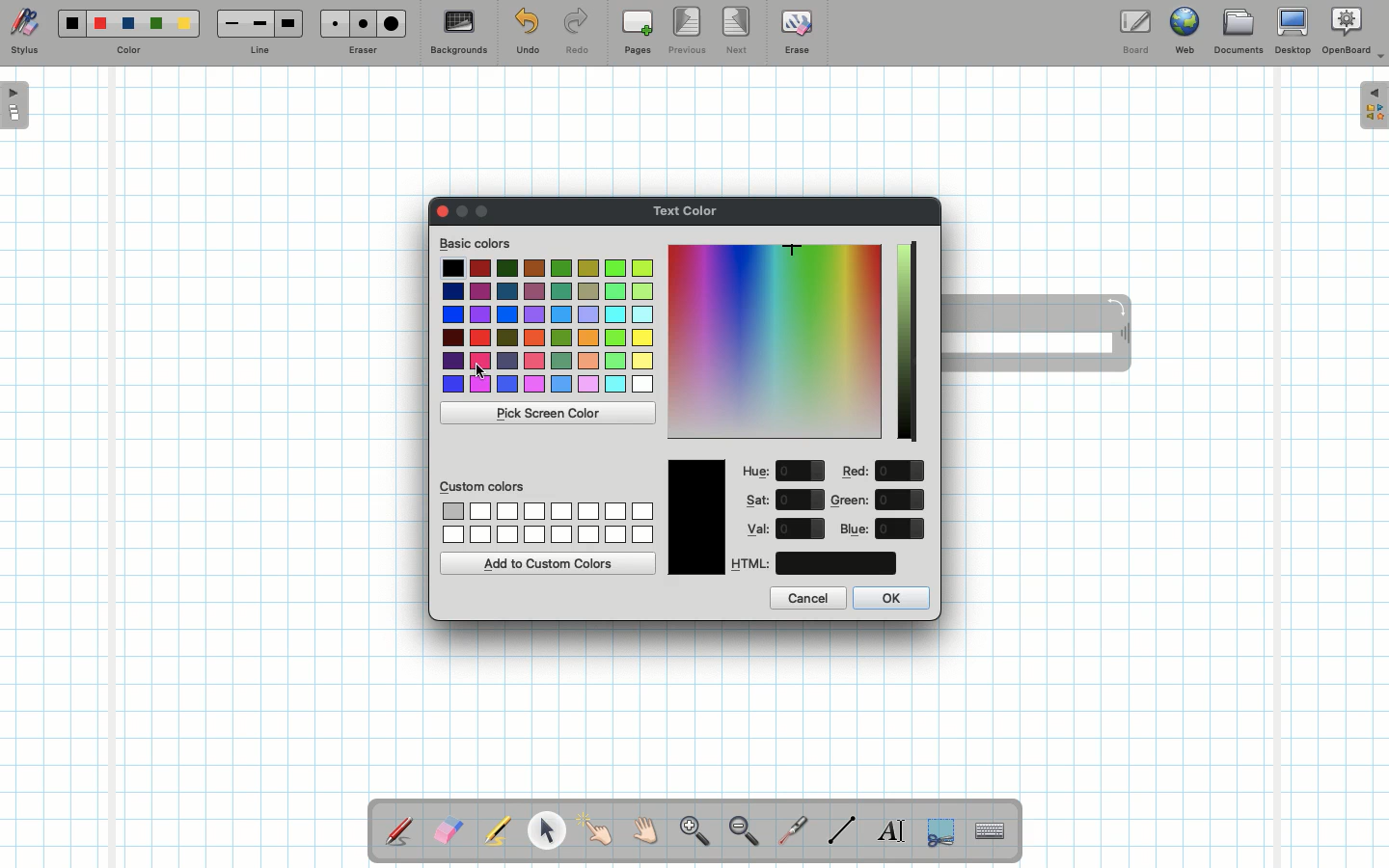 The width and height of the screenshot is (1389, 868). Describe the element at coordinates (775, 341) in the screenshot. I see `Color picker` at that location.